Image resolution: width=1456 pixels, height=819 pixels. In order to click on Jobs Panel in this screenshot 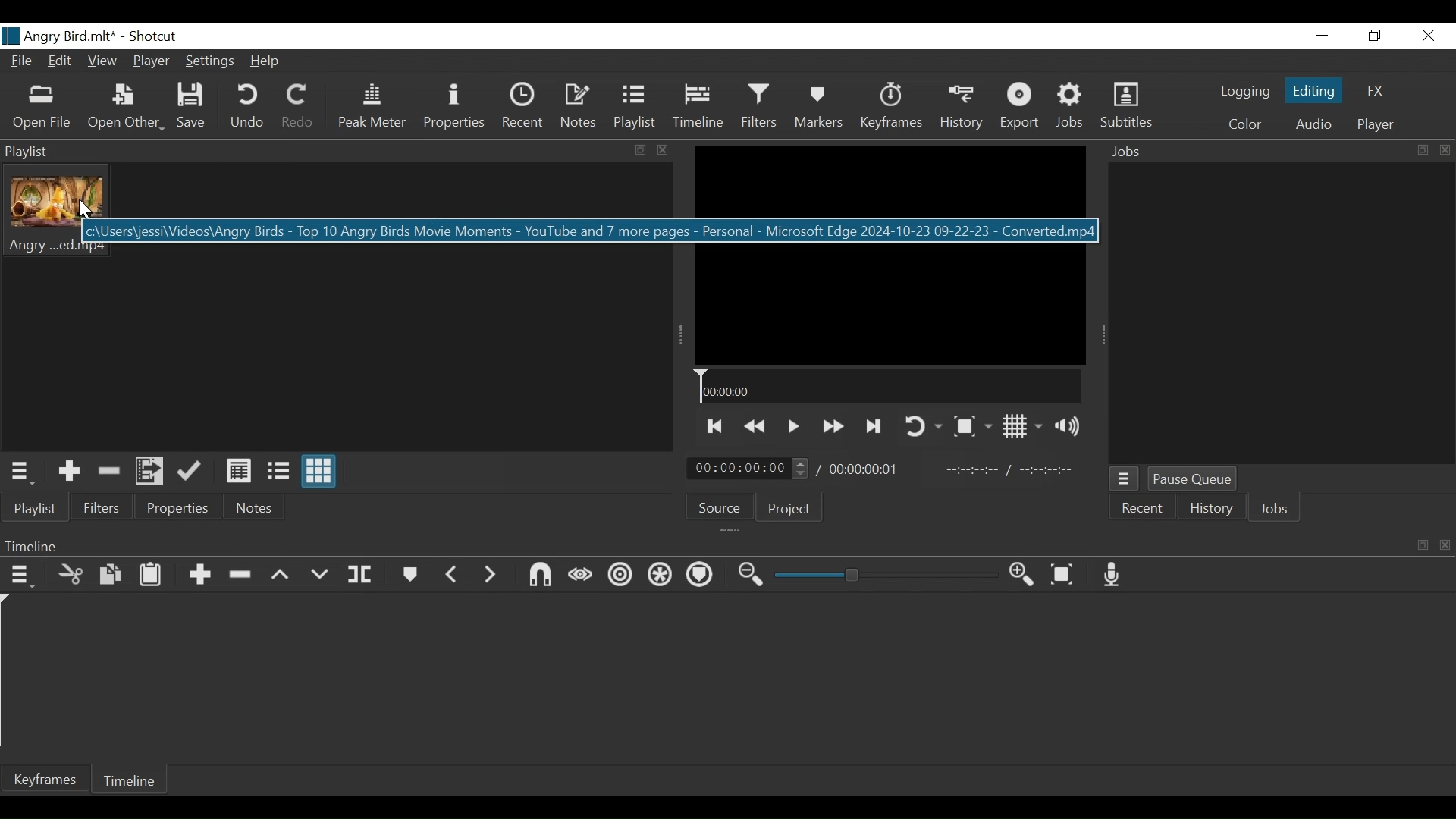, I will do `click(1281, 312)`.